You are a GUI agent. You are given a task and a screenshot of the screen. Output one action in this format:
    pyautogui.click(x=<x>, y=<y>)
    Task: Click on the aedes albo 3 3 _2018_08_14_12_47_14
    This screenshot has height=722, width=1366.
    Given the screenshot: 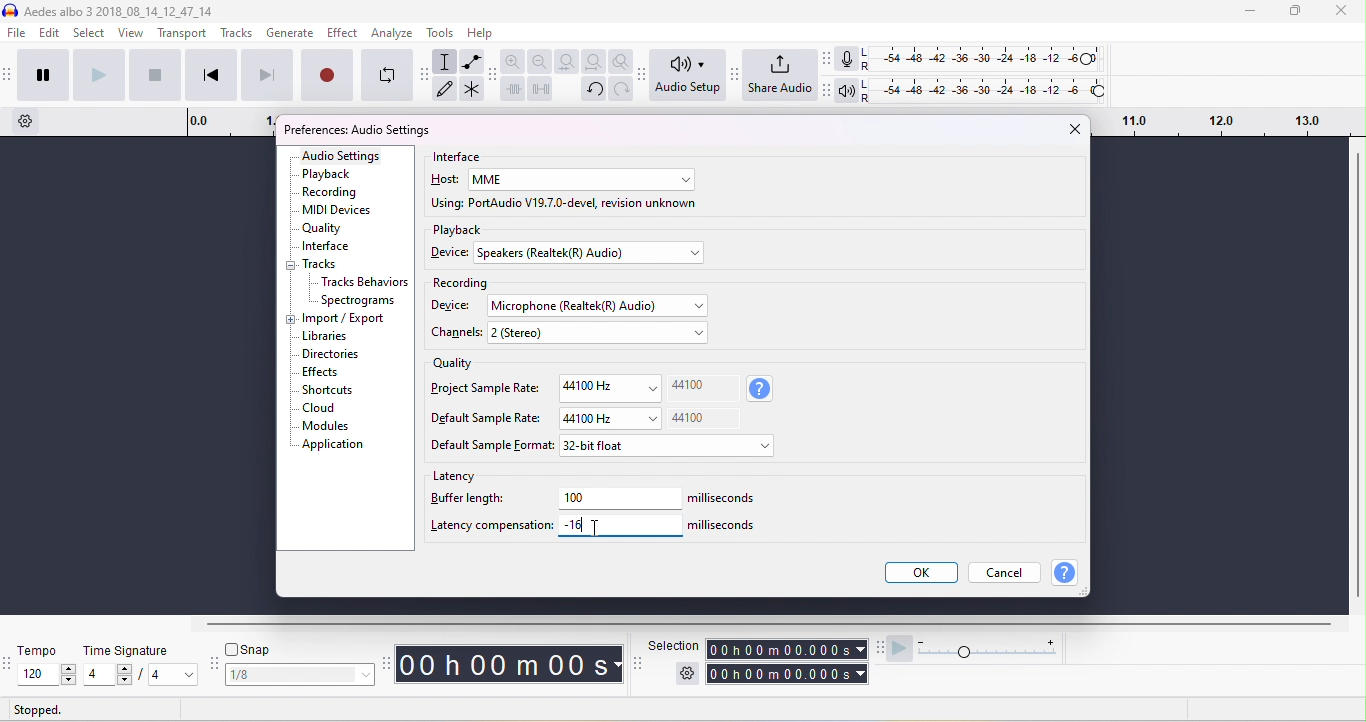 What is the action you would take?
    pyautogui.click(x=109, y=11)
    